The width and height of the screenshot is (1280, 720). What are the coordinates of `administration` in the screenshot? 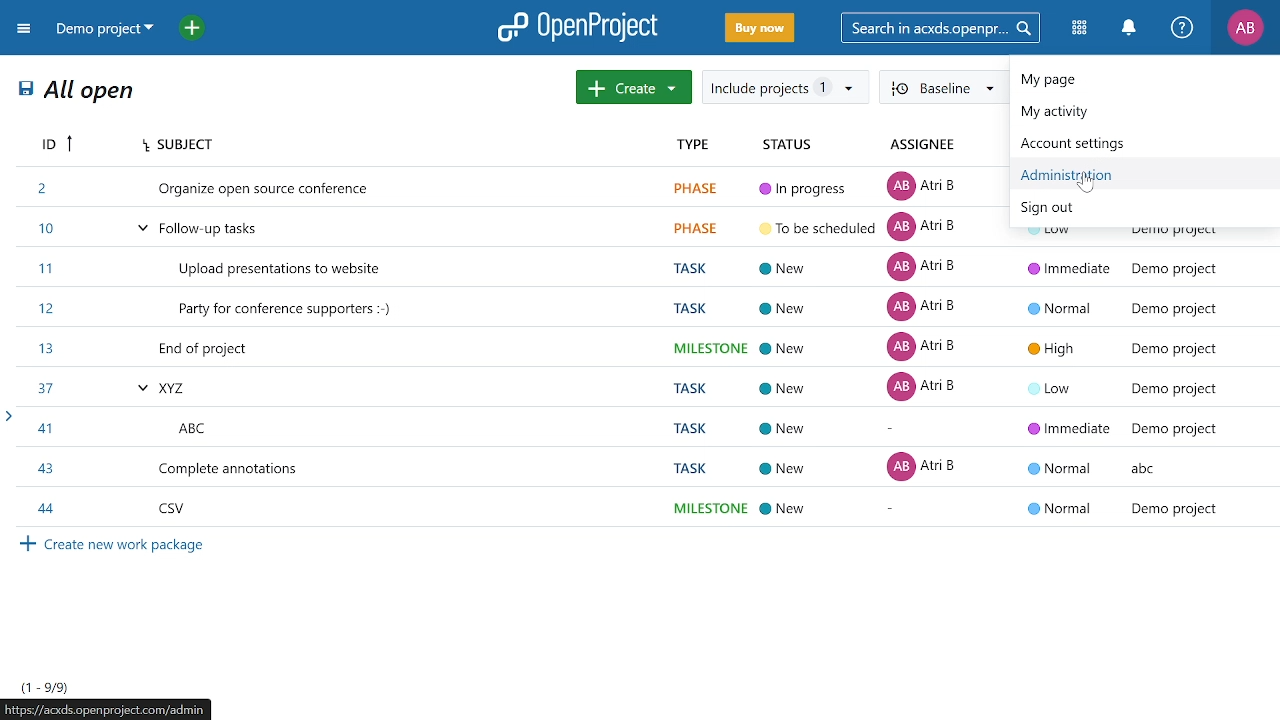 It's located at (1134, 174).